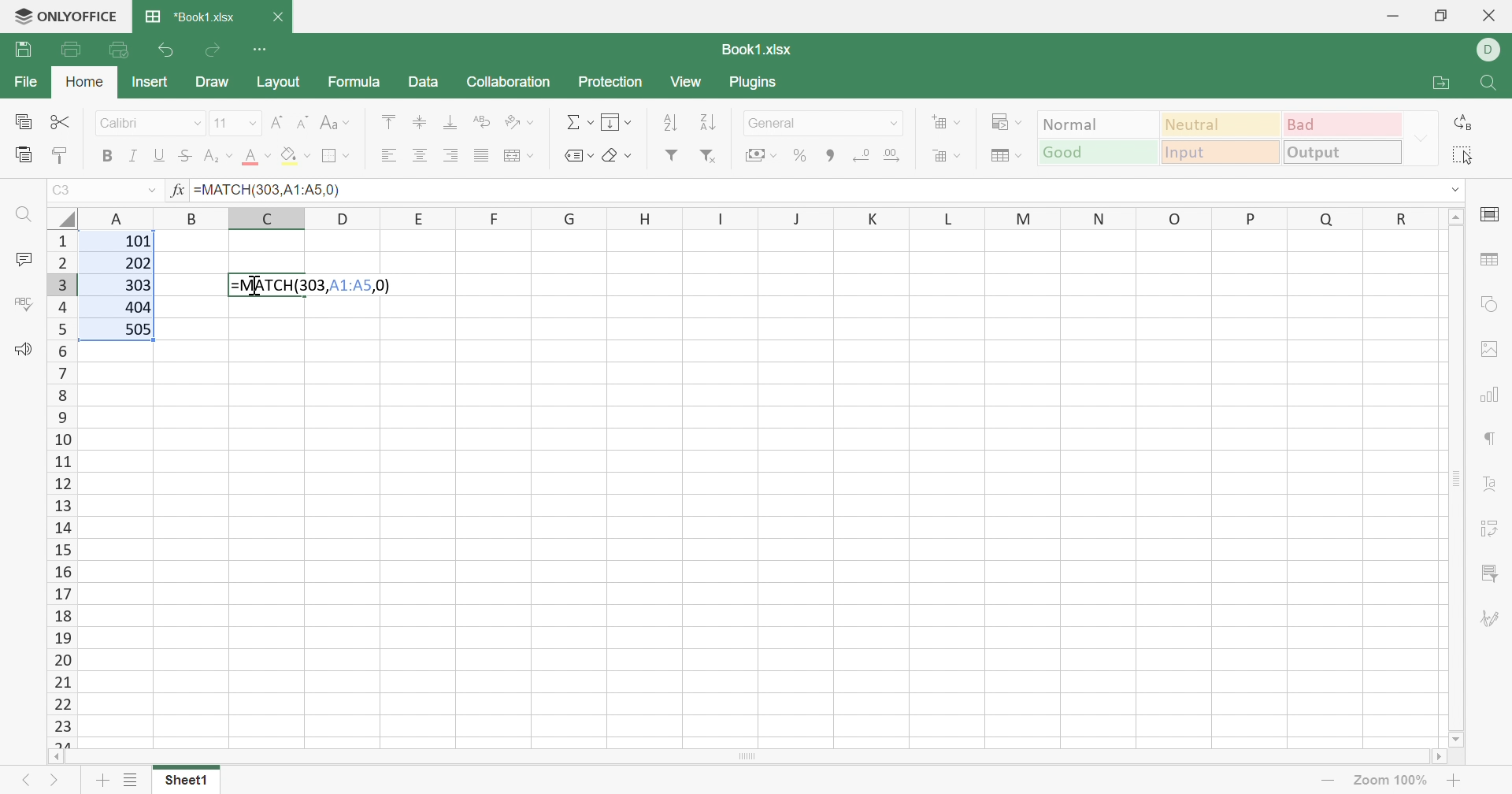  Describe the element at coordinates (121, 49) in the screenshot. I see `Quick print` at that location.